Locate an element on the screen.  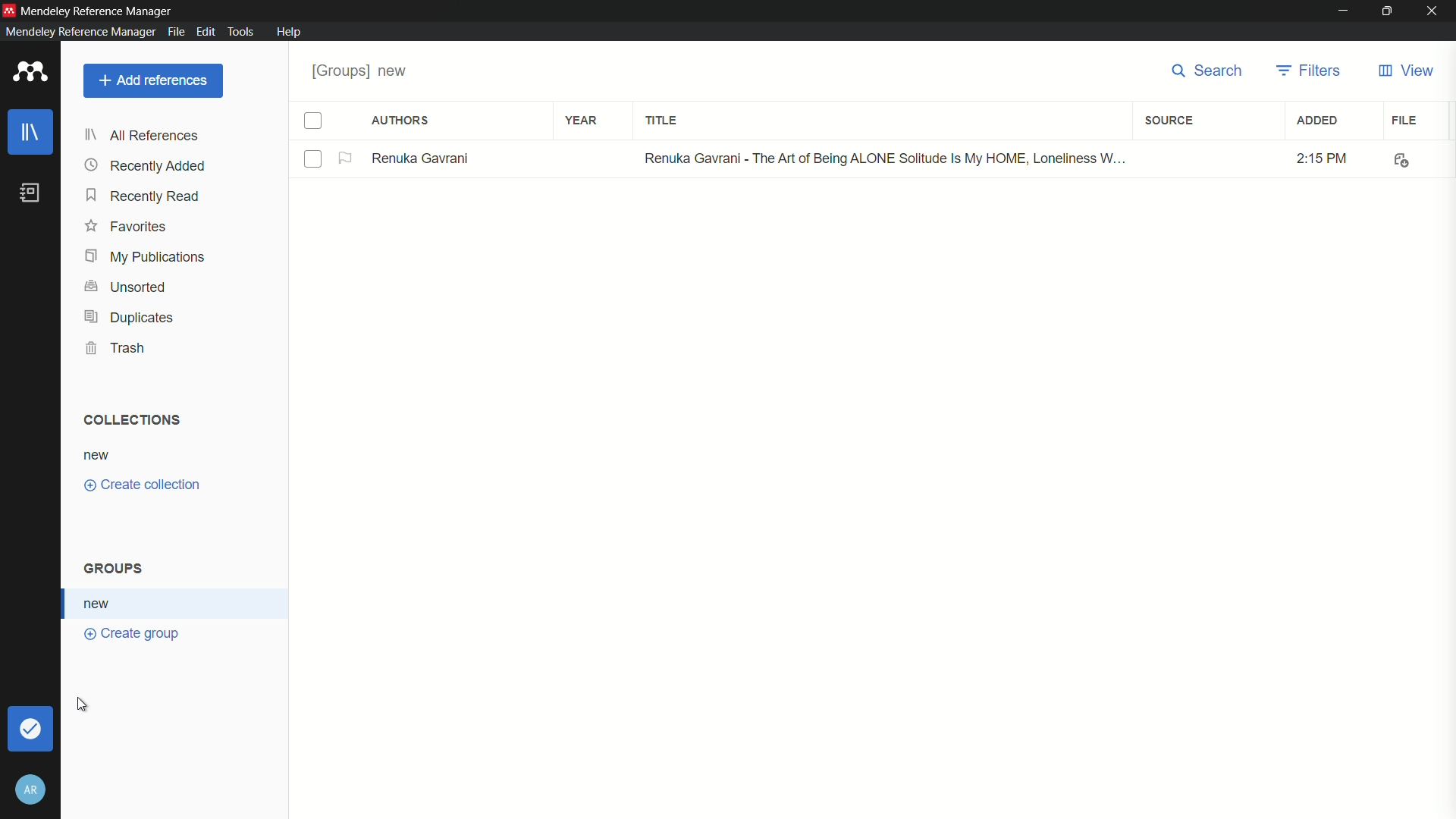
filters is located at coordinates (1311, 73).